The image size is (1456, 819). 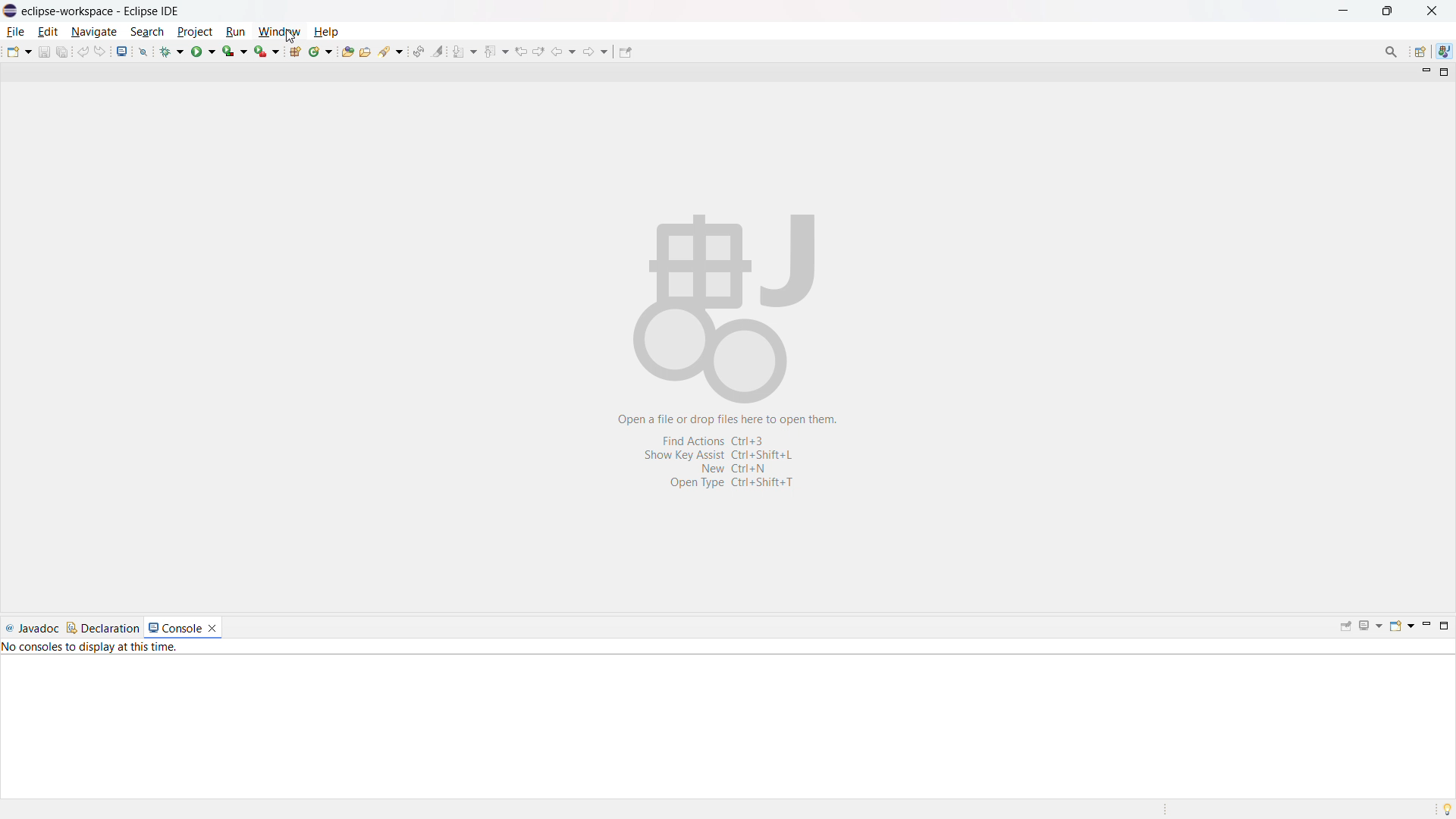 What do you see at coordinates (212, 627) in the screenshot?
I see `close console` at bounding box center [212, 627].